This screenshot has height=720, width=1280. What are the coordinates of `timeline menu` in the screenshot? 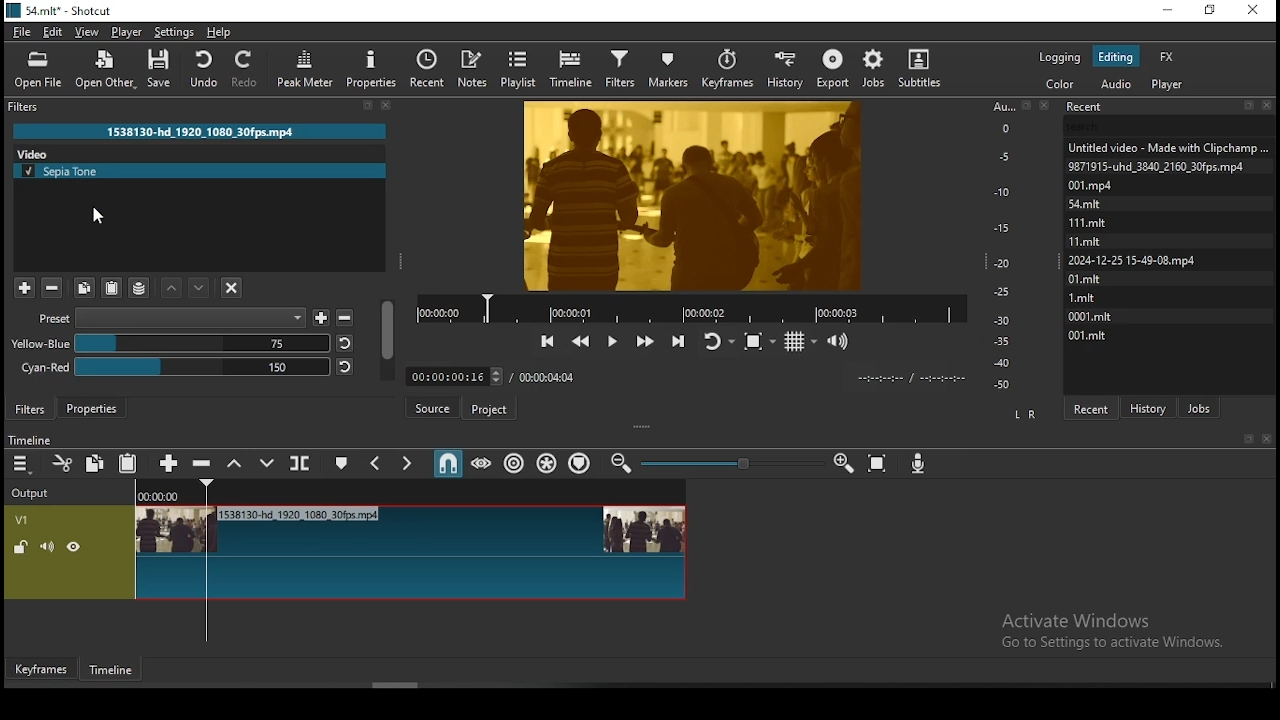 It's located at (22, 466).